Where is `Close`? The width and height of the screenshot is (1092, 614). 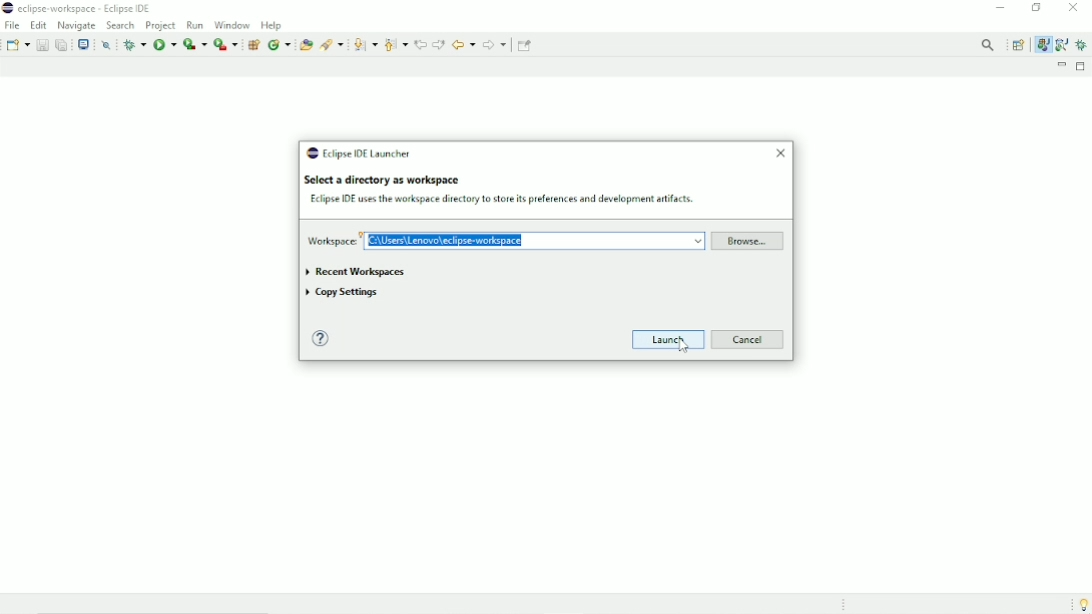 Close is located at coordinates (779, 153).